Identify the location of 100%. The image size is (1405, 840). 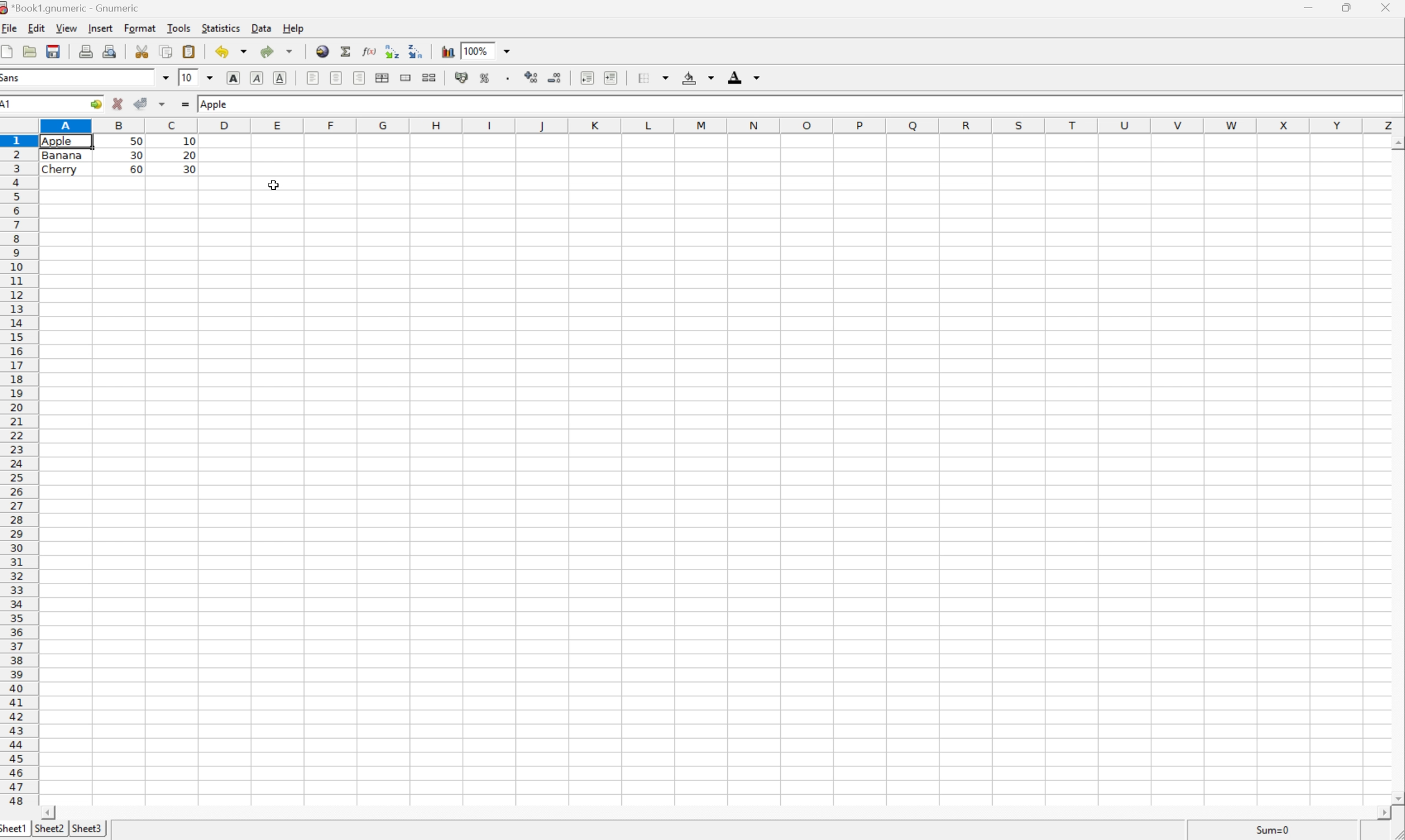
(475, 49).